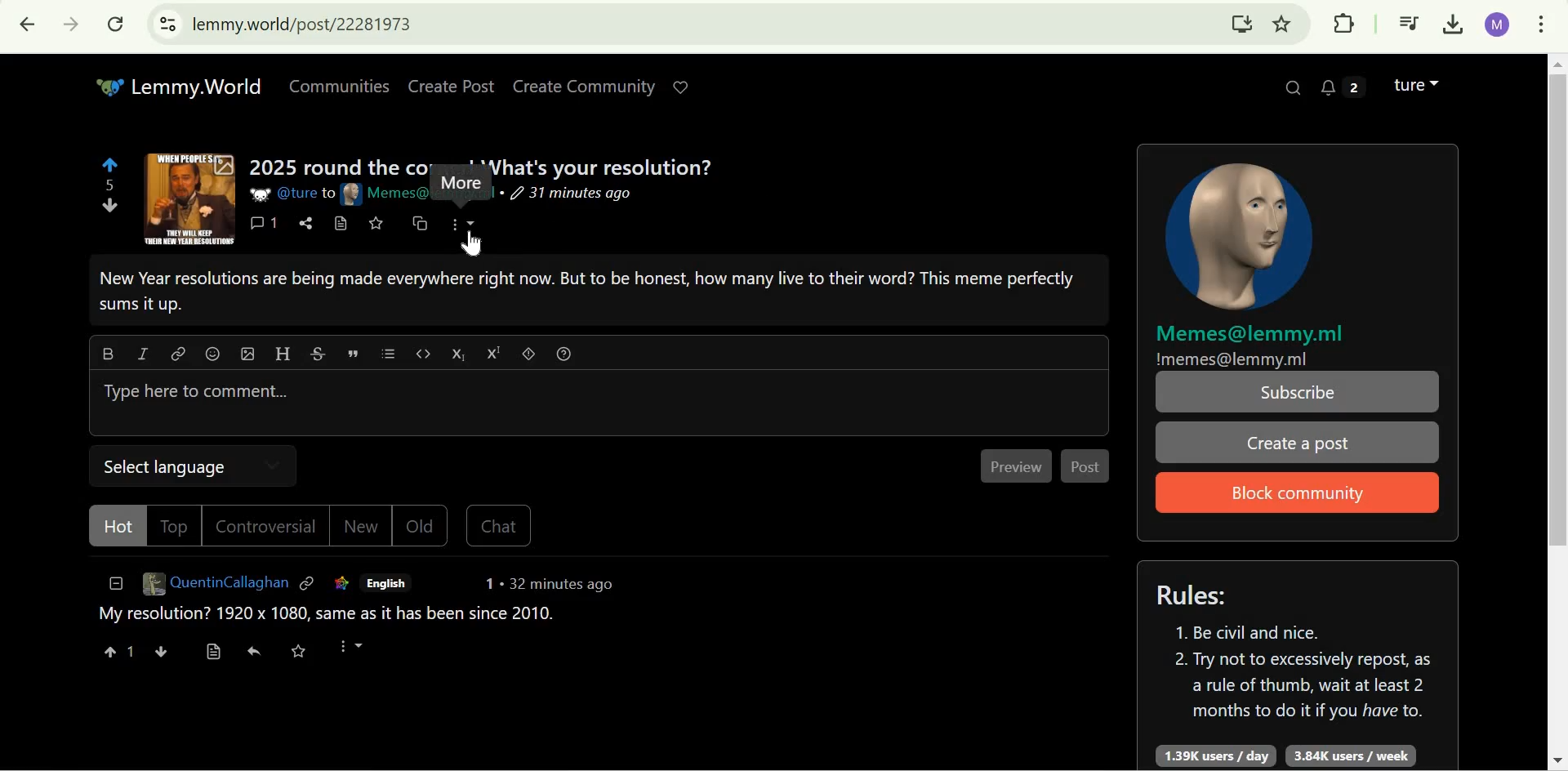 This screenshot has height=771, width=1568. I want to click on Old, so click(421, 526).